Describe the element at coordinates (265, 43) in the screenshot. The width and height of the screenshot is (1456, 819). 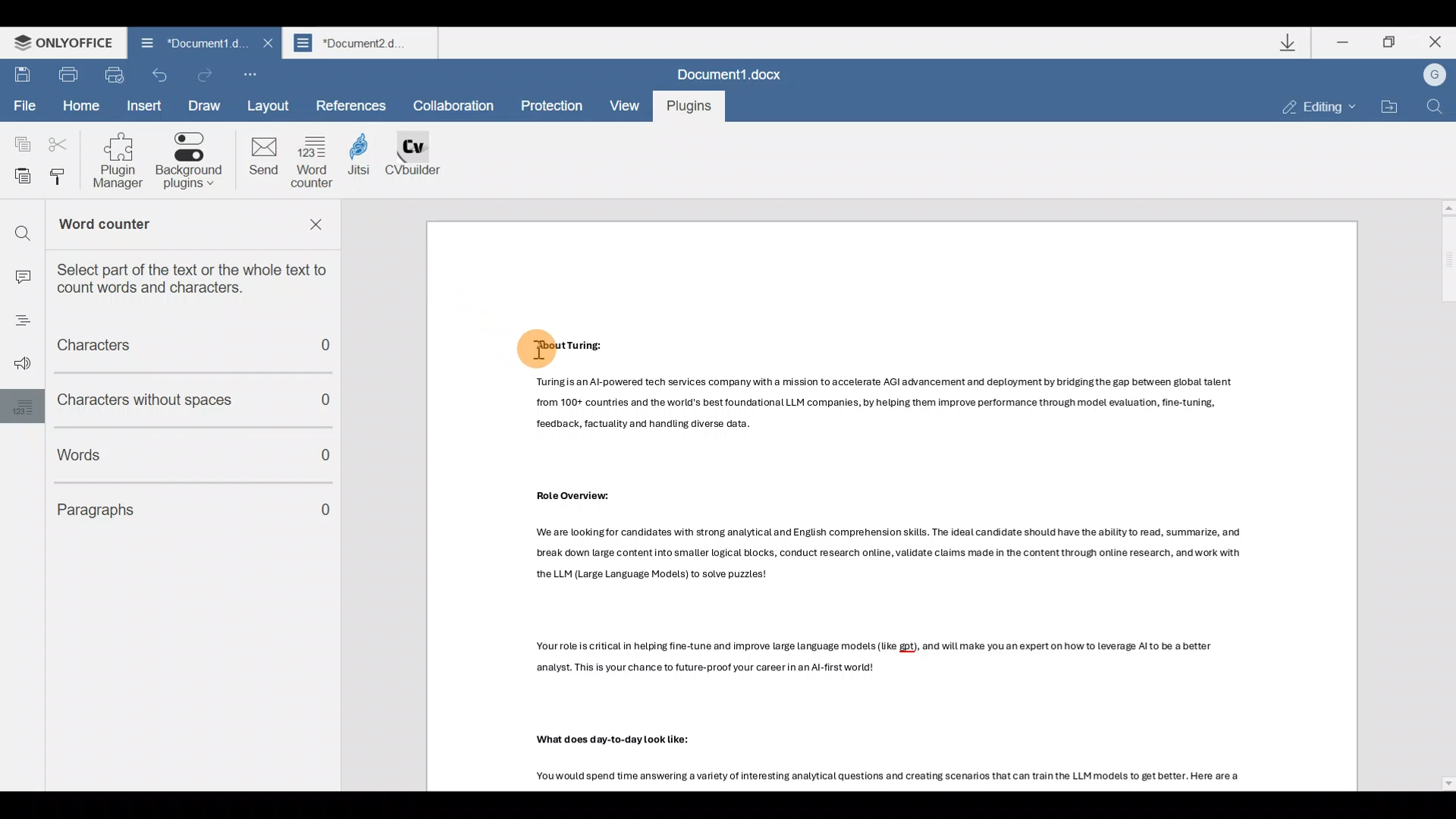
I see `Close` at that location.